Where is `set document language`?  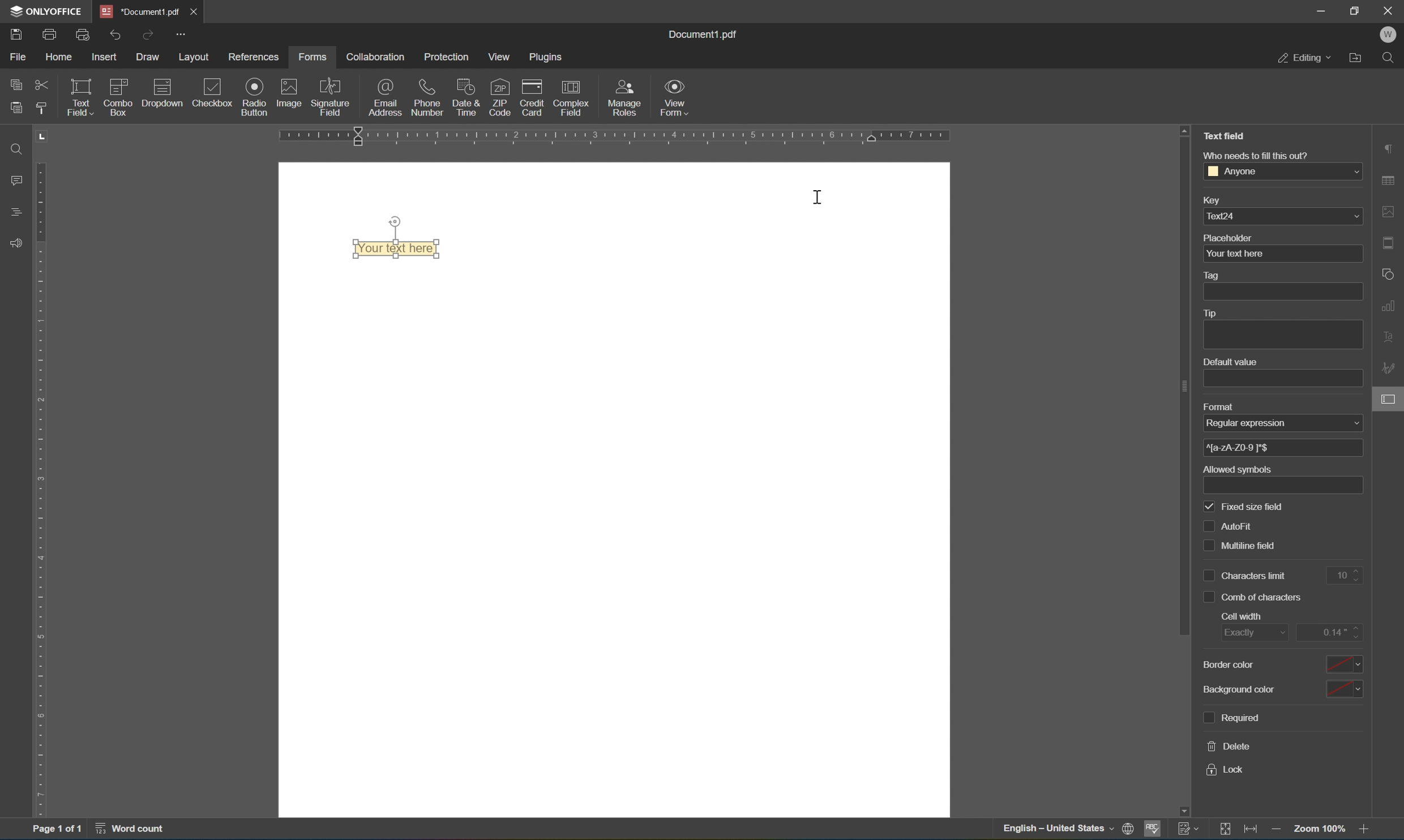 set document language is located at coordinates (1132, 830).